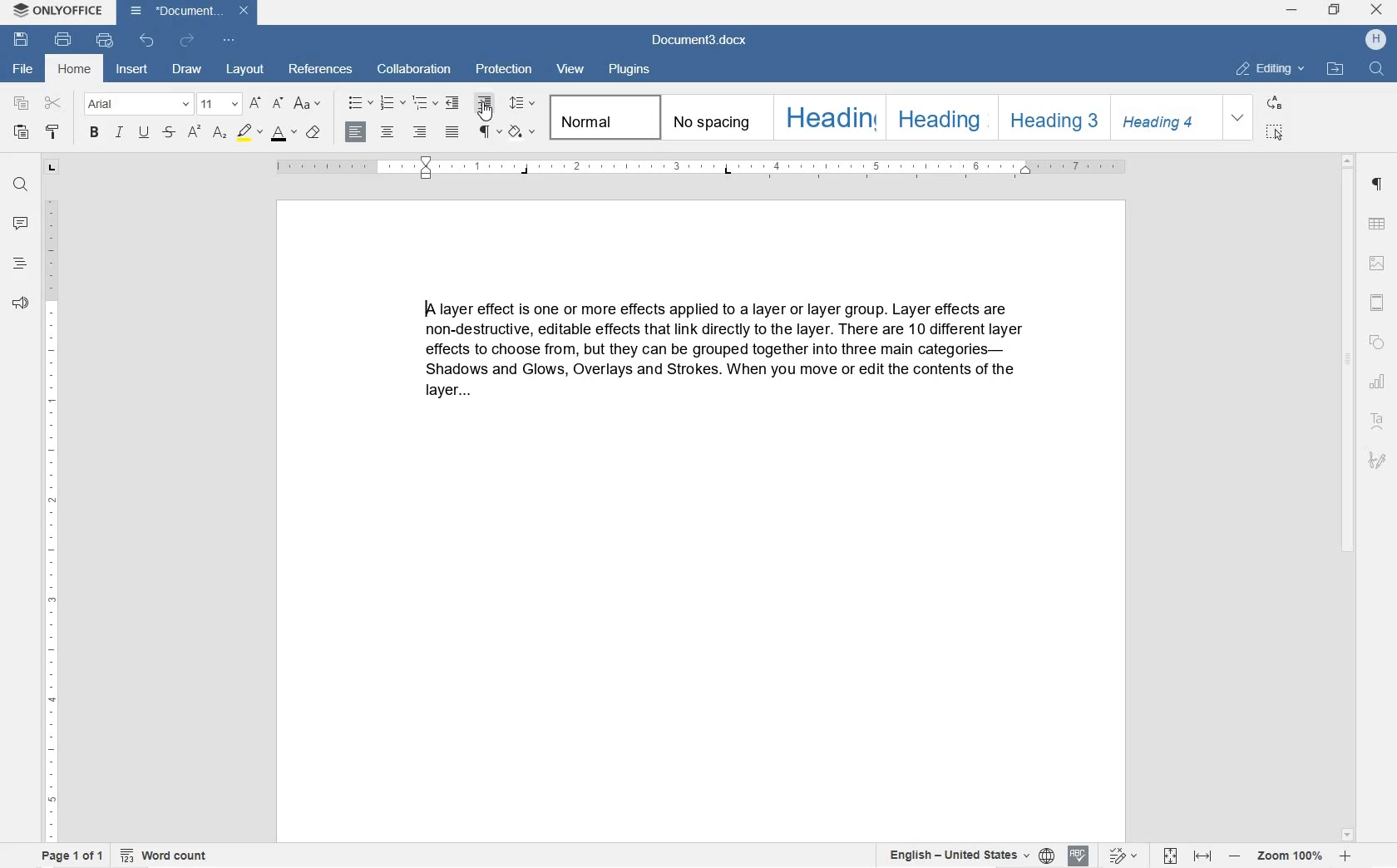 The image size is (1397, 868). What do you see at coordinates (186, 42) in the screenshot?
I see `REDO` at bounding box center [186, 42].